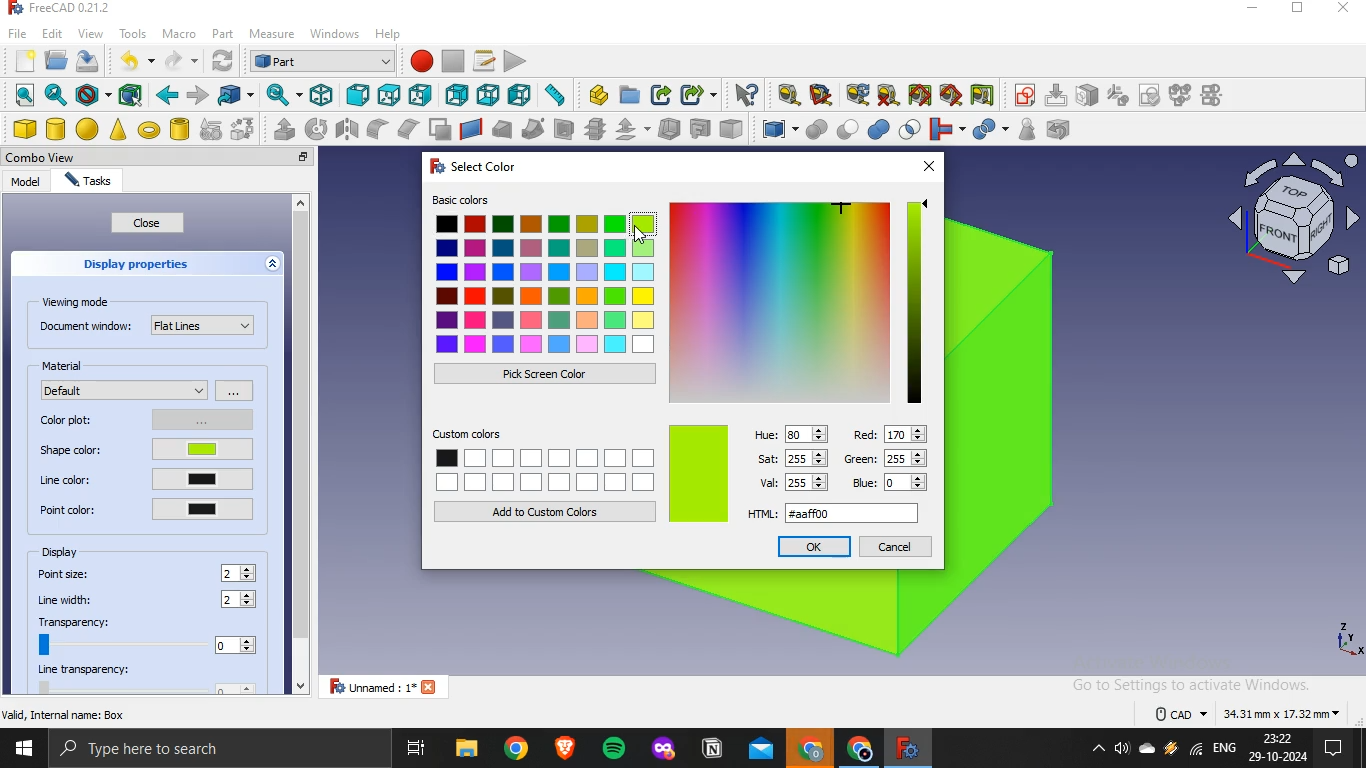  What do you see at coordinates (856, 750) in the screenshot?
I see `google chrome` at bounding box center [856, 750].